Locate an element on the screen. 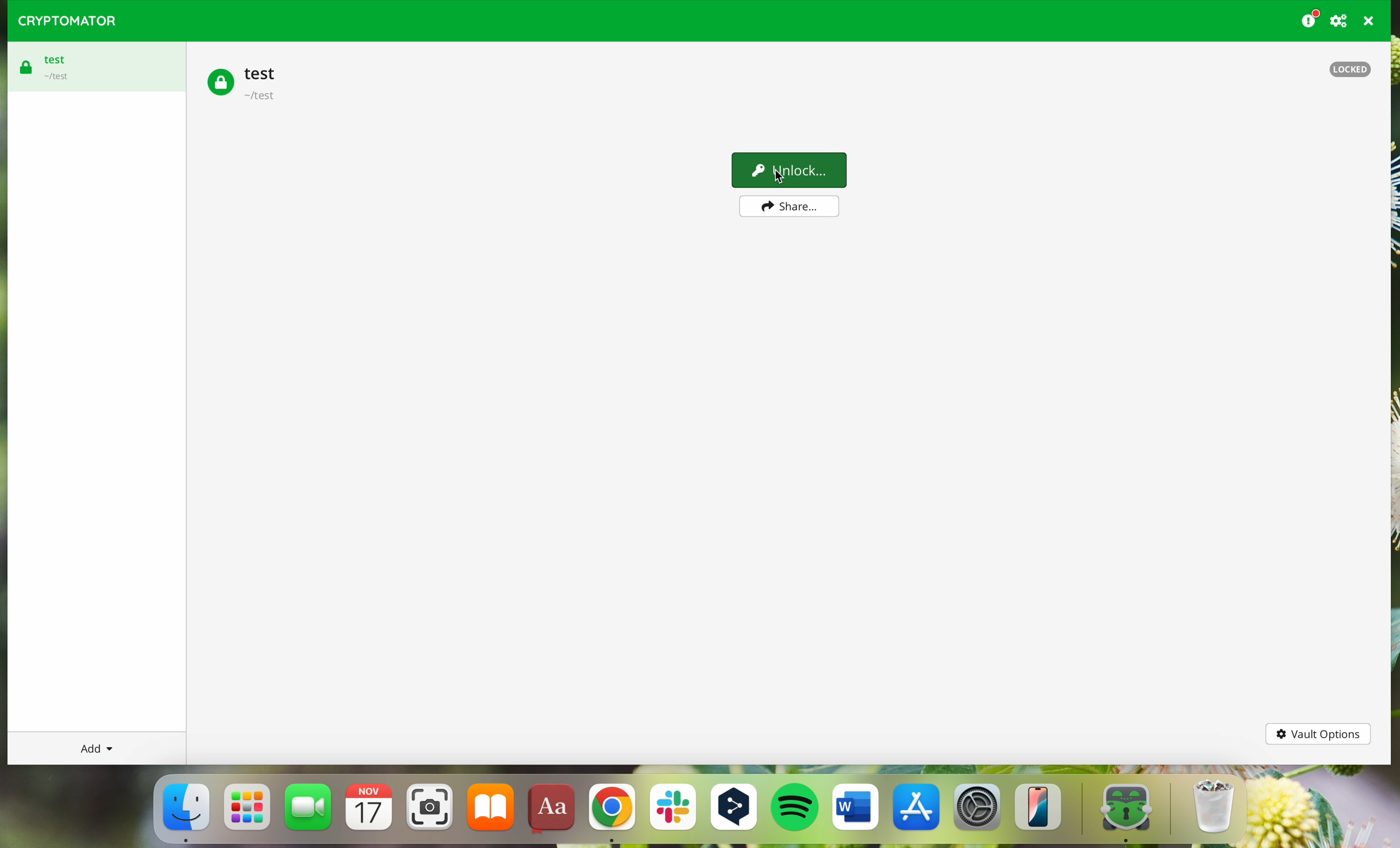 The height and width of the screenshot is (848, 1400). screenshot is located at coordinates (430, 812).